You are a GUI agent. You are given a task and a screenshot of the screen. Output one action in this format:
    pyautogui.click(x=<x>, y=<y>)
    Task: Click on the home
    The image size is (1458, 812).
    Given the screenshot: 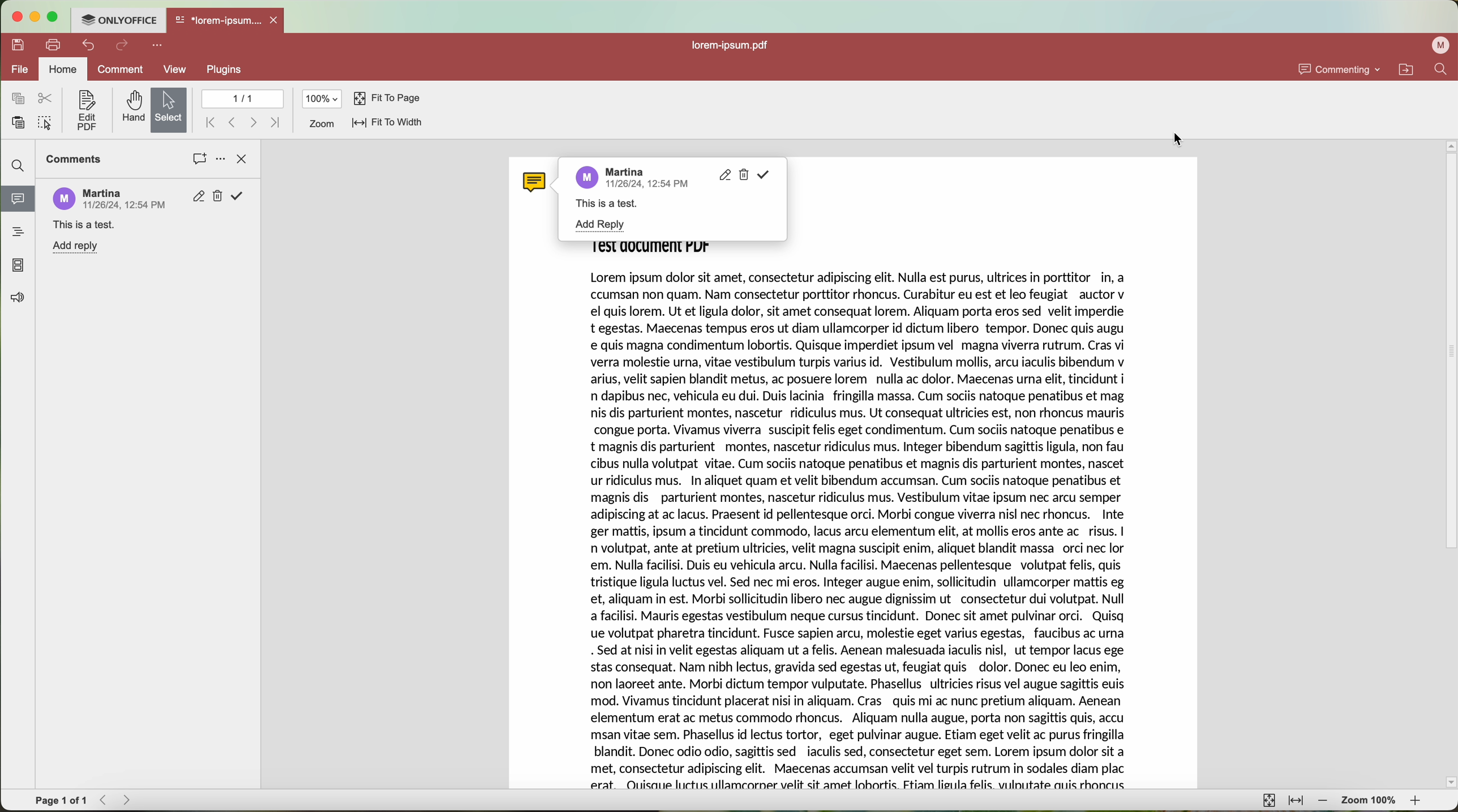 What is the action you would take?
    pyautogui.click(x=63, y=68)
    